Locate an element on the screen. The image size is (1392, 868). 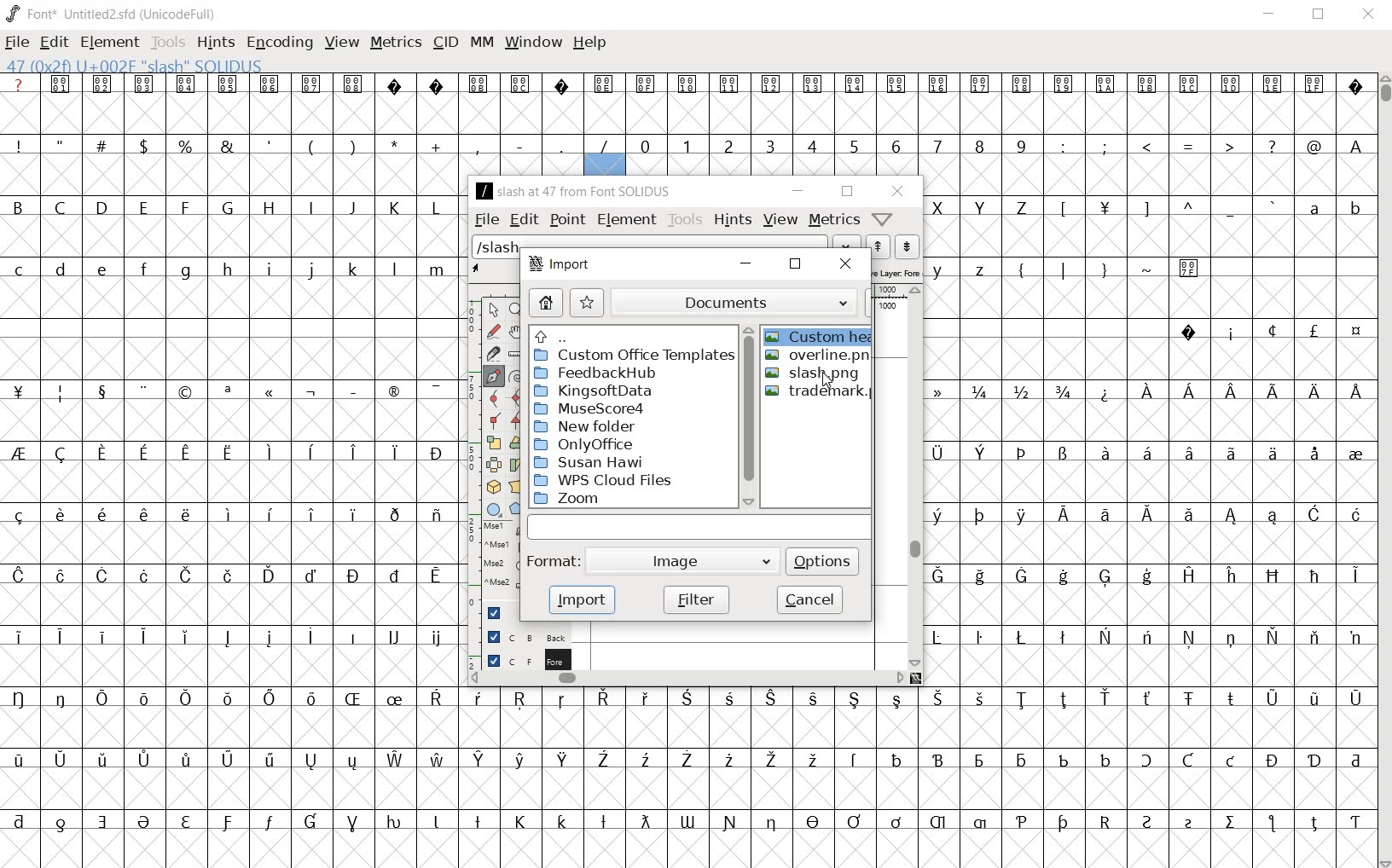
tools is located at coordinates (686, 219).